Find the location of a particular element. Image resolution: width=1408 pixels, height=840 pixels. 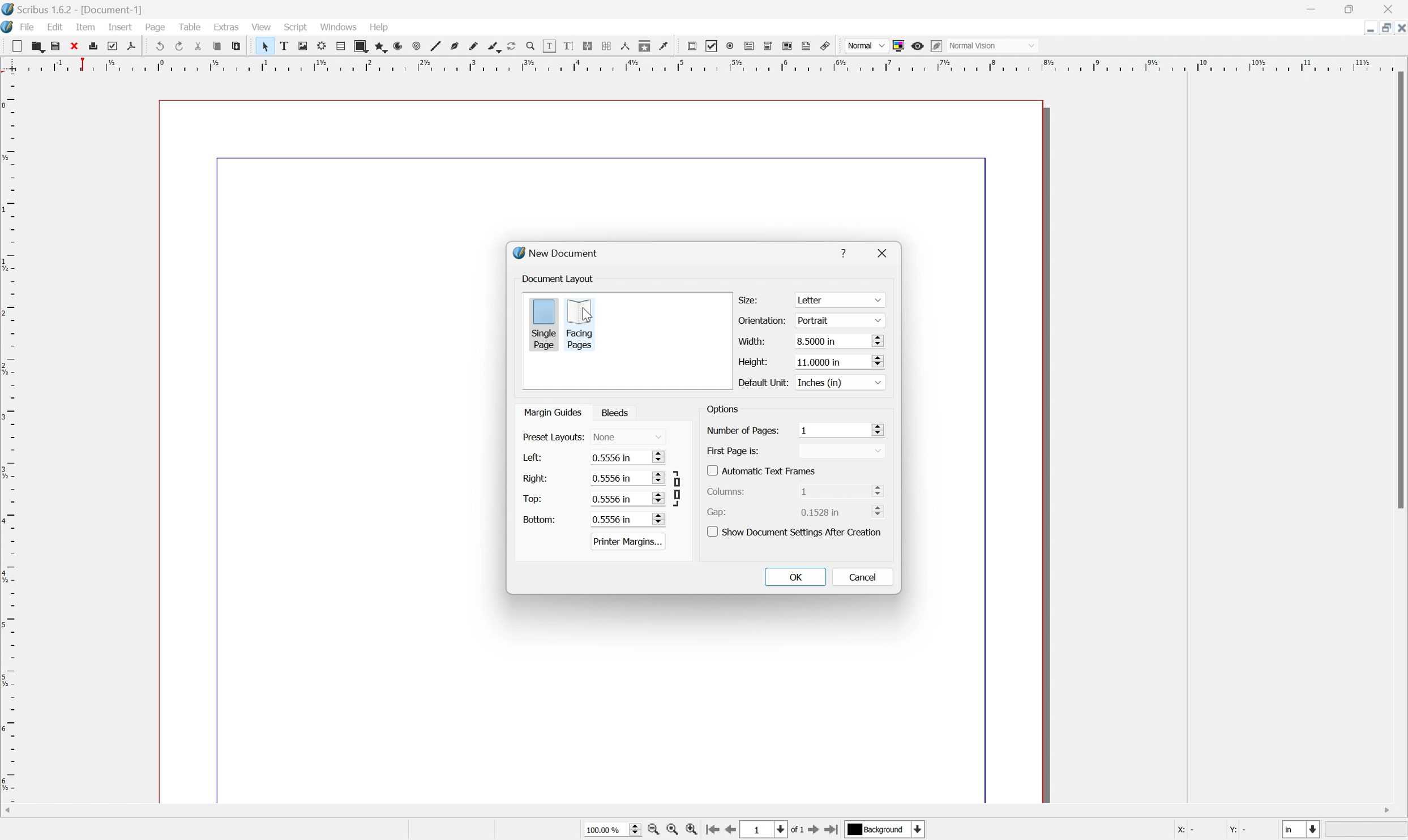

Paste is located at coordinates (240, 48).